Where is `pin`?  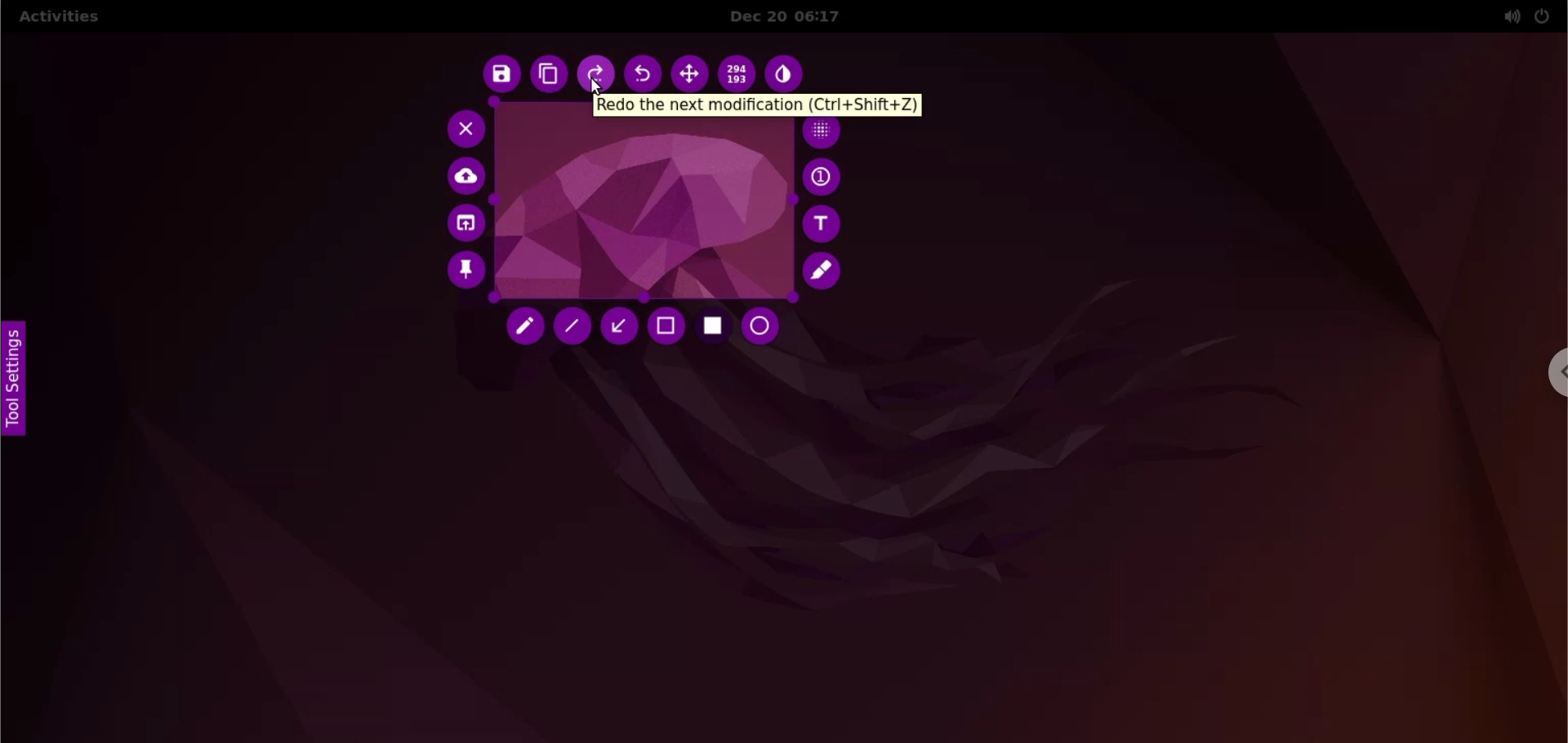
pin is located at coordinates (465, 274).